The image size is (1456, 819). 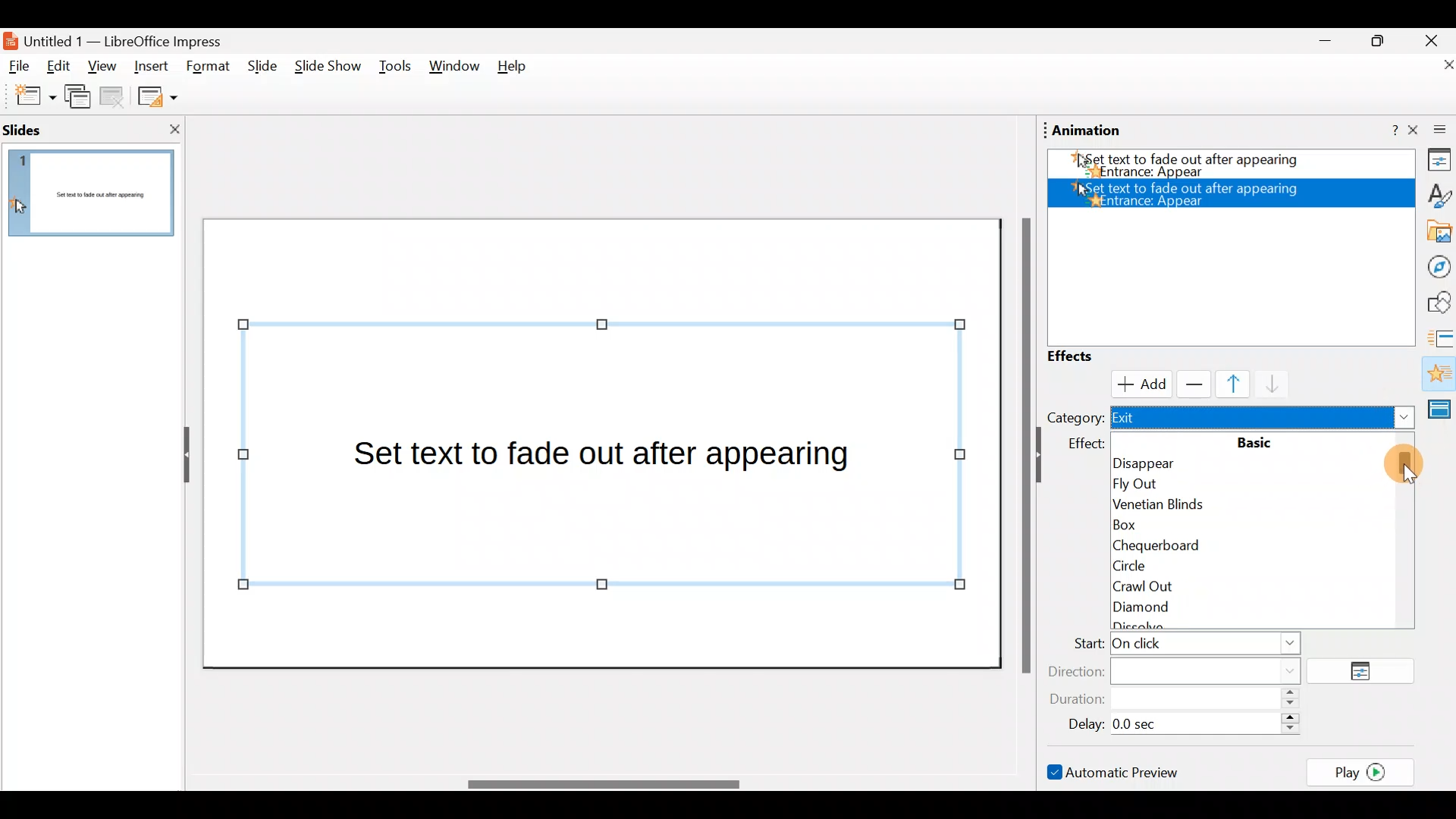 I want to click on Circle, so click(x=1170, y=567).